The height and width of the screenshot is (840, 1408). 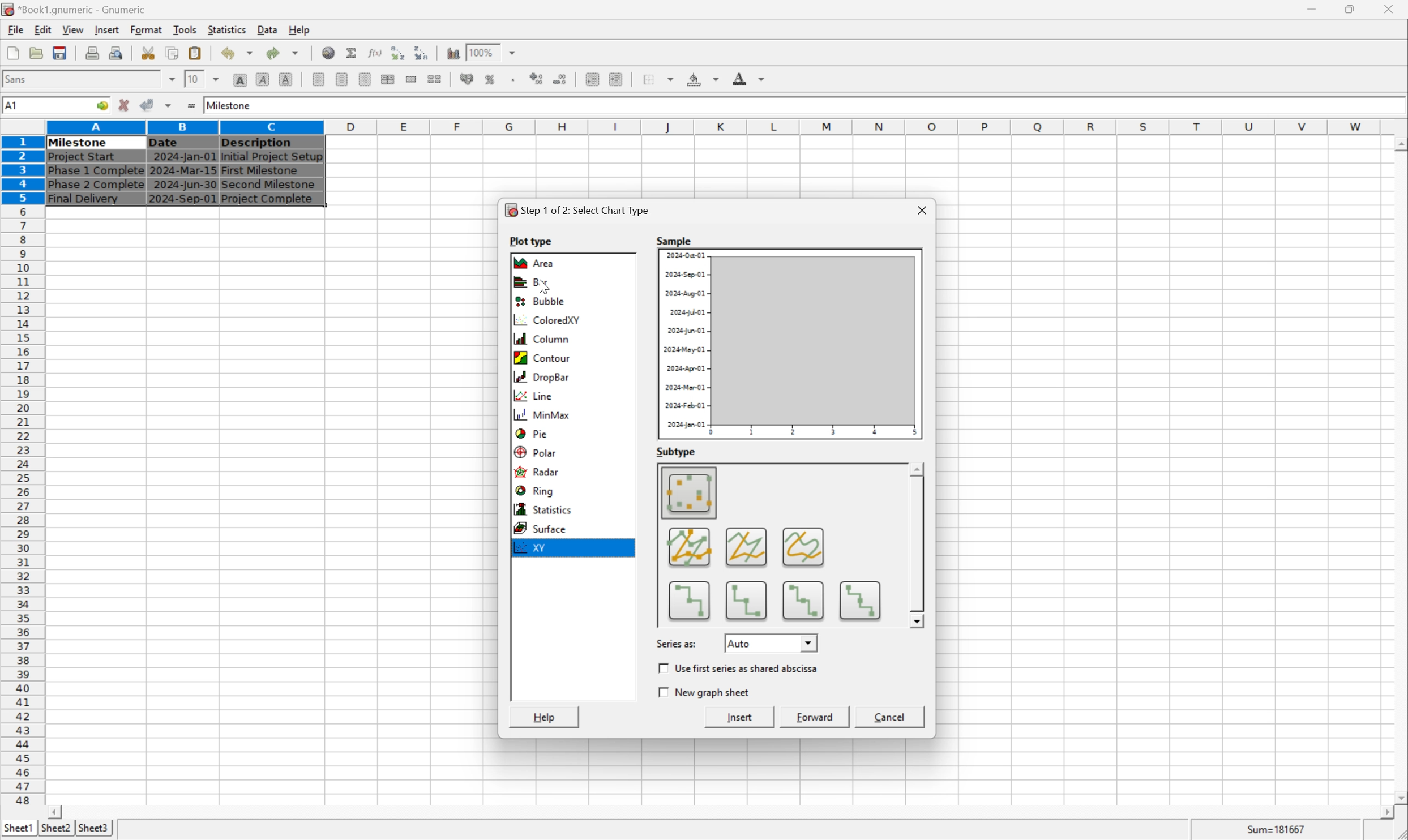 What do you see at coordinates (545, 357) in the screenshot?
I see `contour` at bounding box center [545, 357].